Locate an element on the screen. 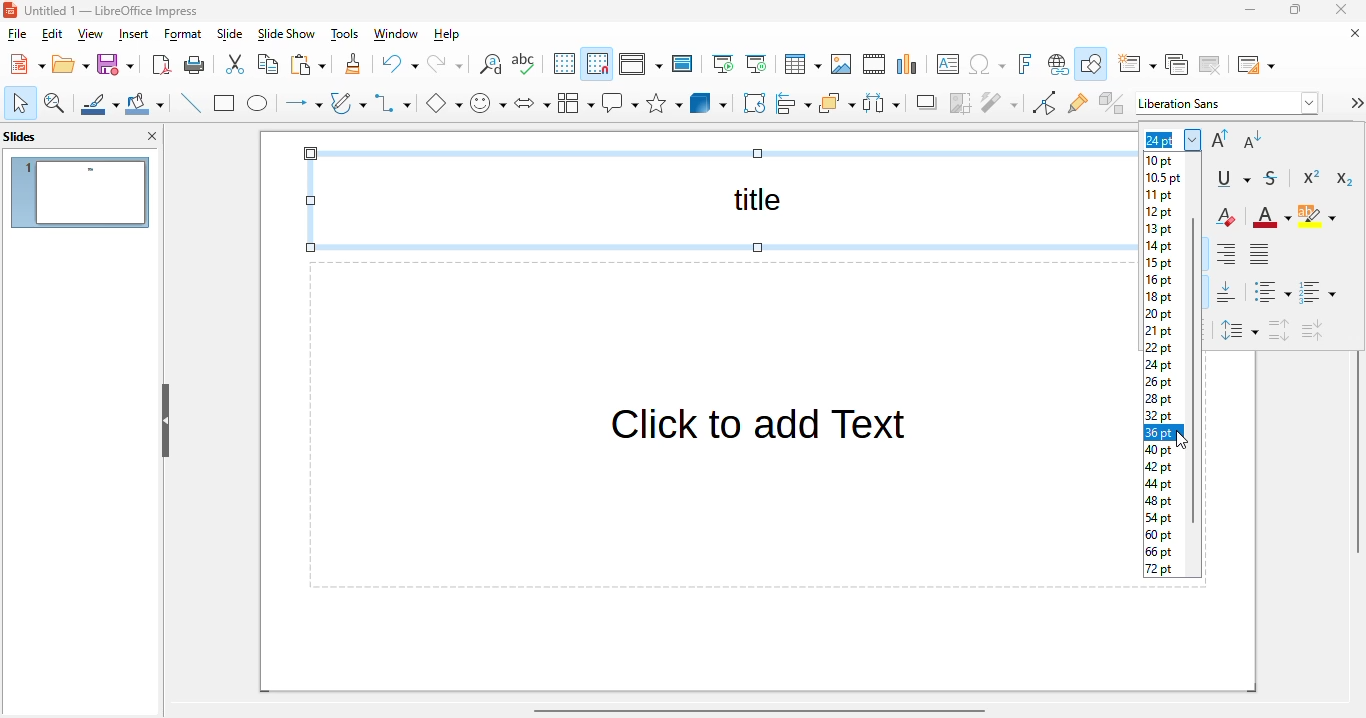 Image resolution: width=1366 pixels, height=718 pixels. new is located at coordinates (27, 64).